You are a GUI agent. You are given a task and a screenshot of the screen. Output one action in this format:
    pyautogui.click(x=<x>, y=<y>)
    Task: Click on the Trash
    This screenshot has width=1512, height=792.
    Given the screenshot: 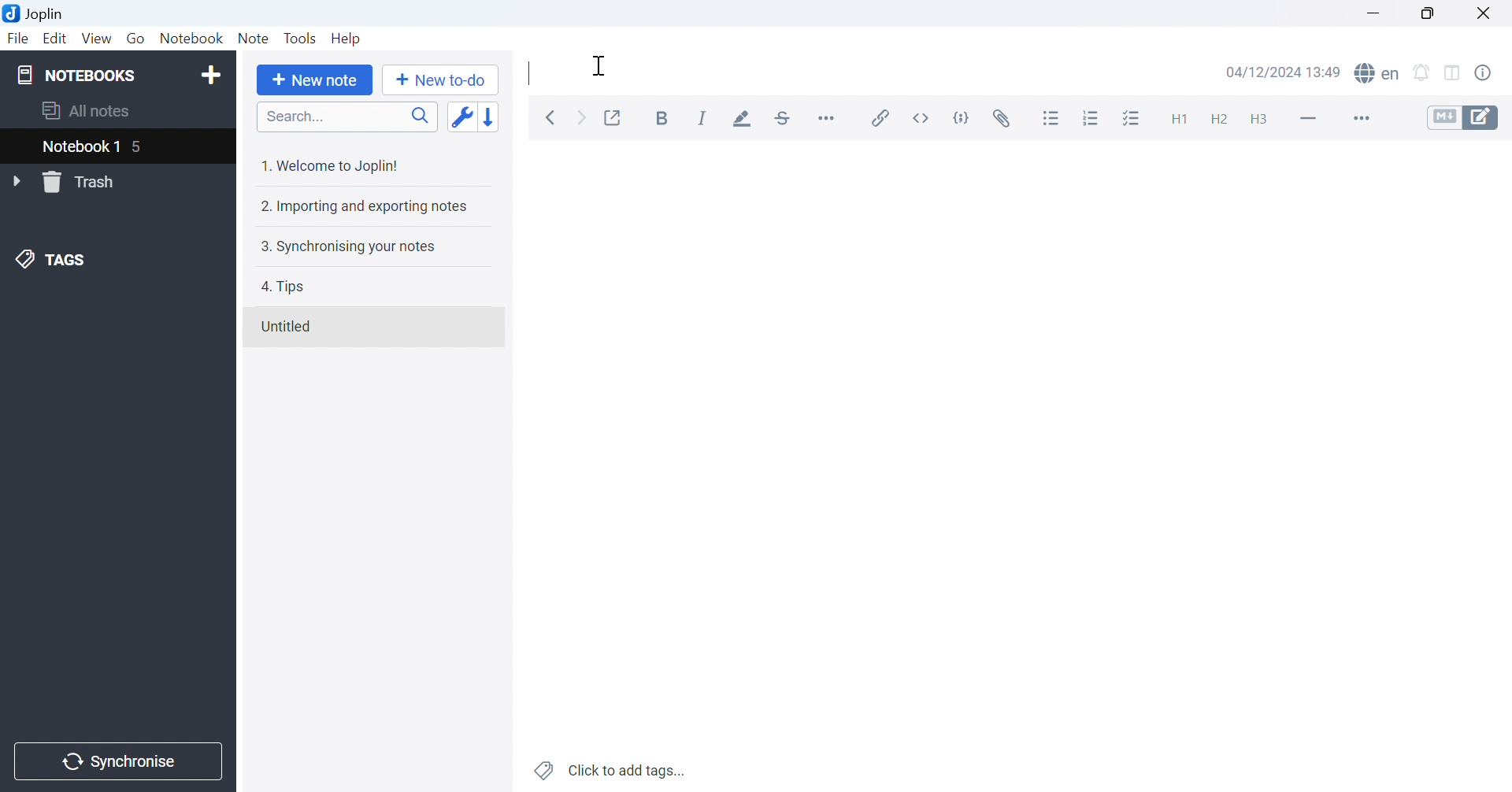 What is the action you would take?
    pyautogui.click(x=88, y=182)
    